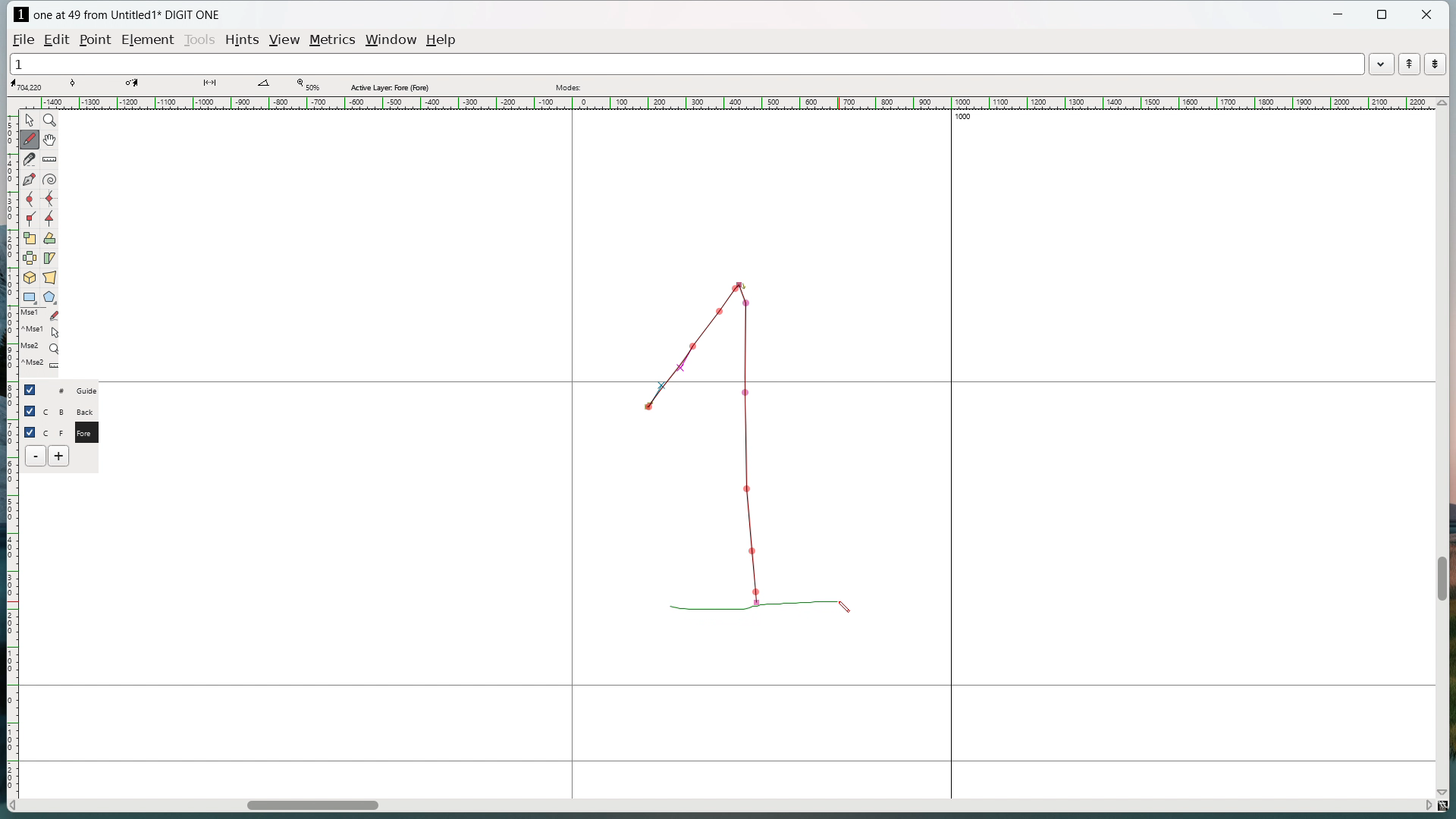 The image size is (1456, 819). I want to click on C F Fore, so click(72, 431).